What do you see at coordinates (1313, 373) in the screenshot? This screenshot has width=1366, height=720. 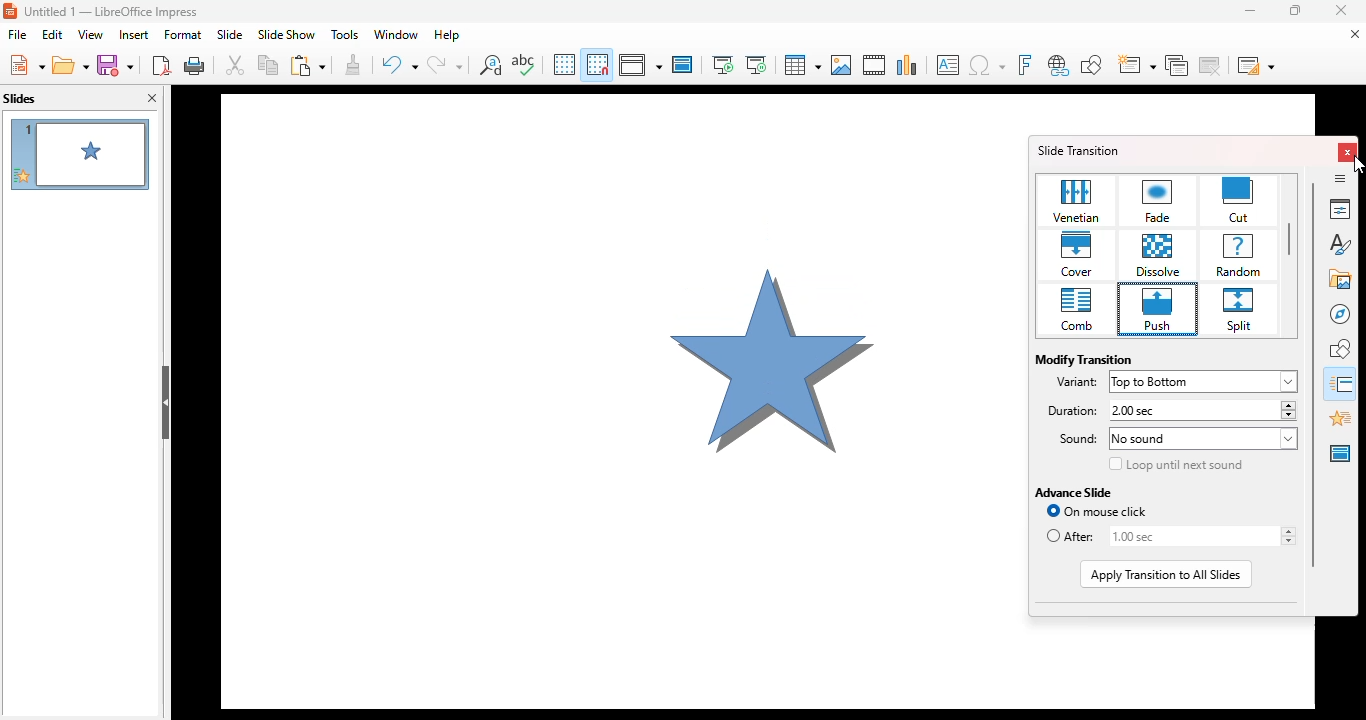 I see `vertical scroll bar` at bounding box center [1313, 373].